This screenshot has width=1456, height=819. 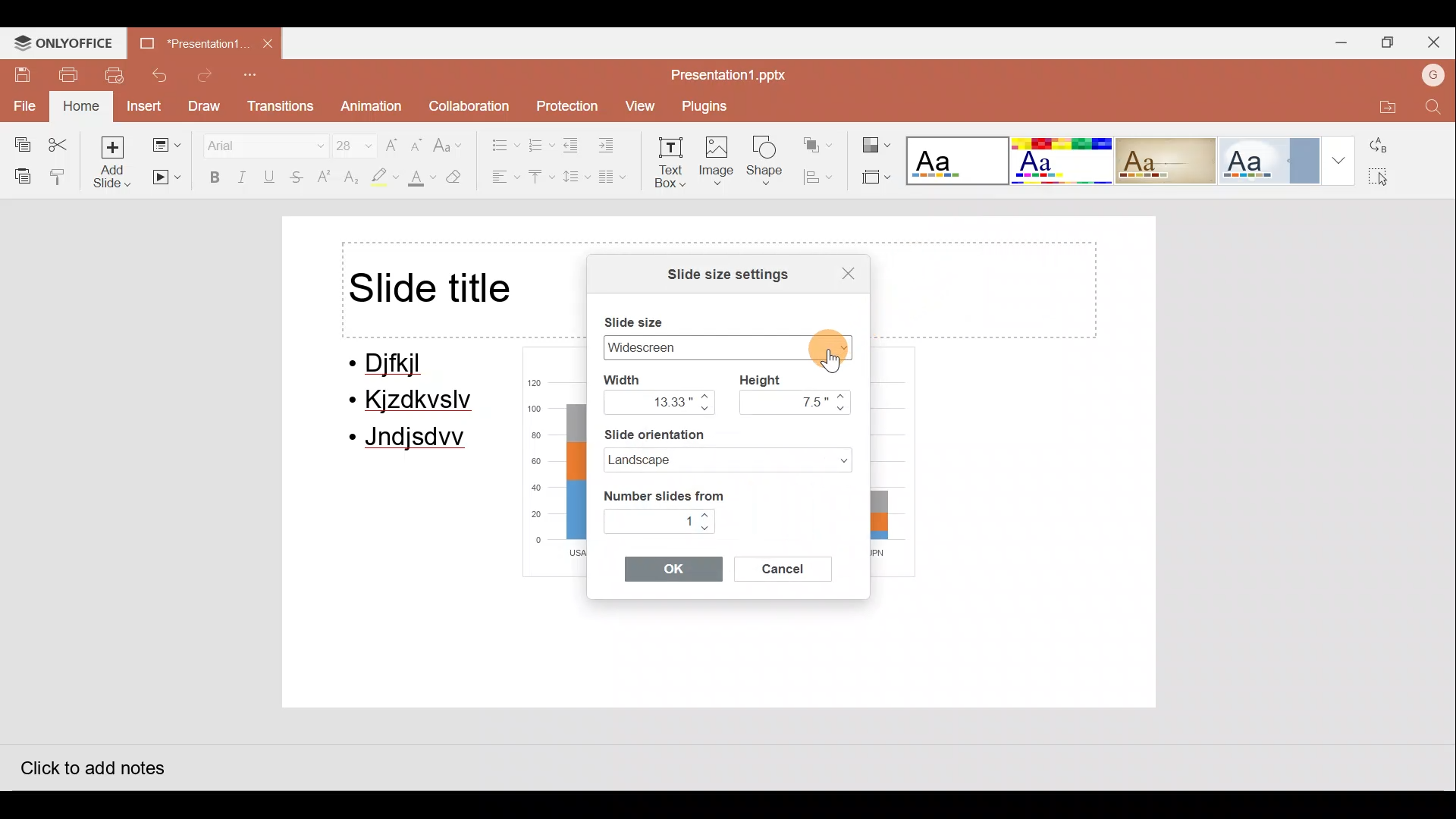 What do you see at coordinates (1436, 45) in the screenshot?
I see `Close` at bounding box center [1436, 45].